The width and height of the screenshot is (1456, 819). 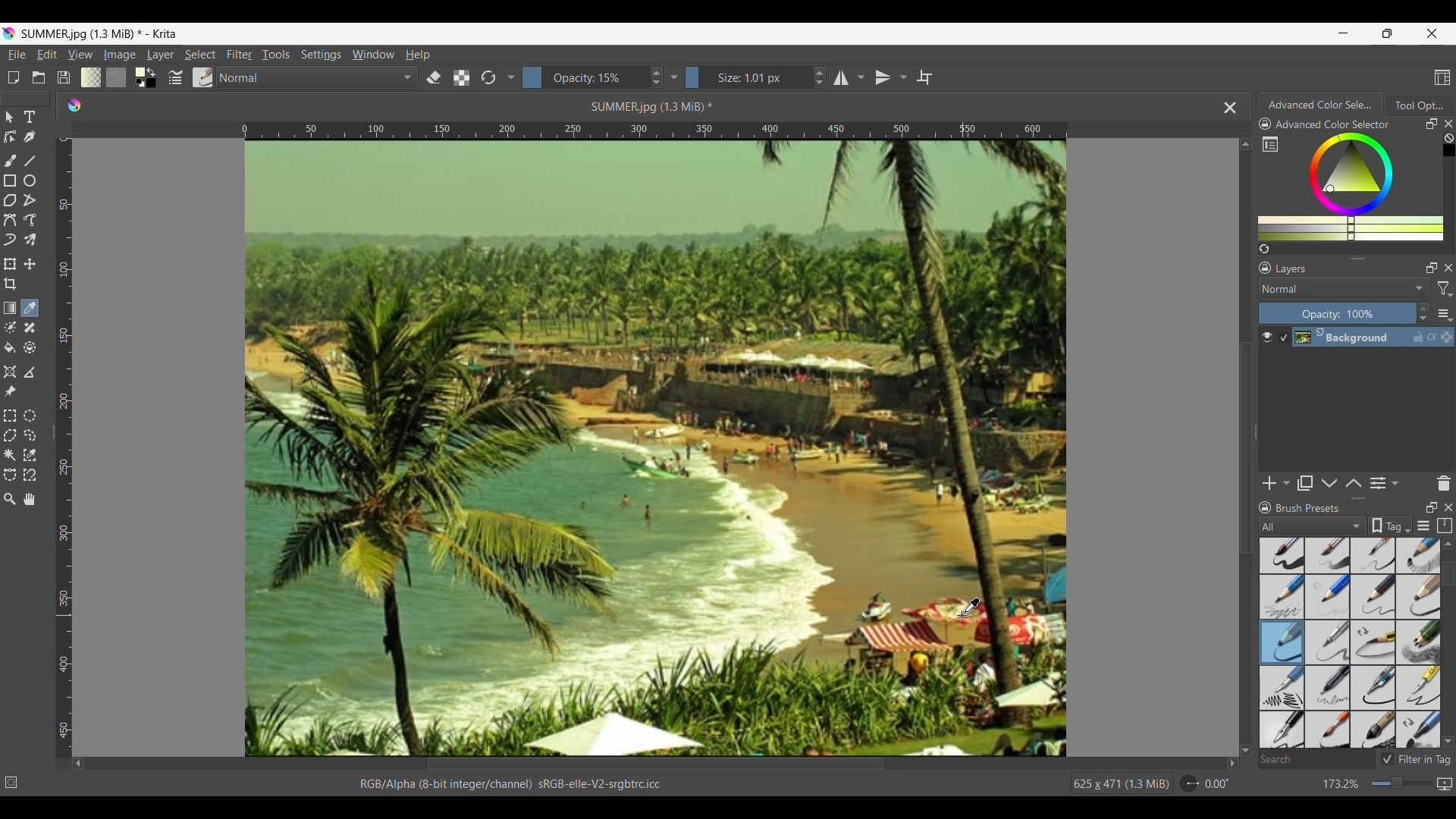 I want to click on Change height of panels attached to this line, so click(x=1358, y=498).